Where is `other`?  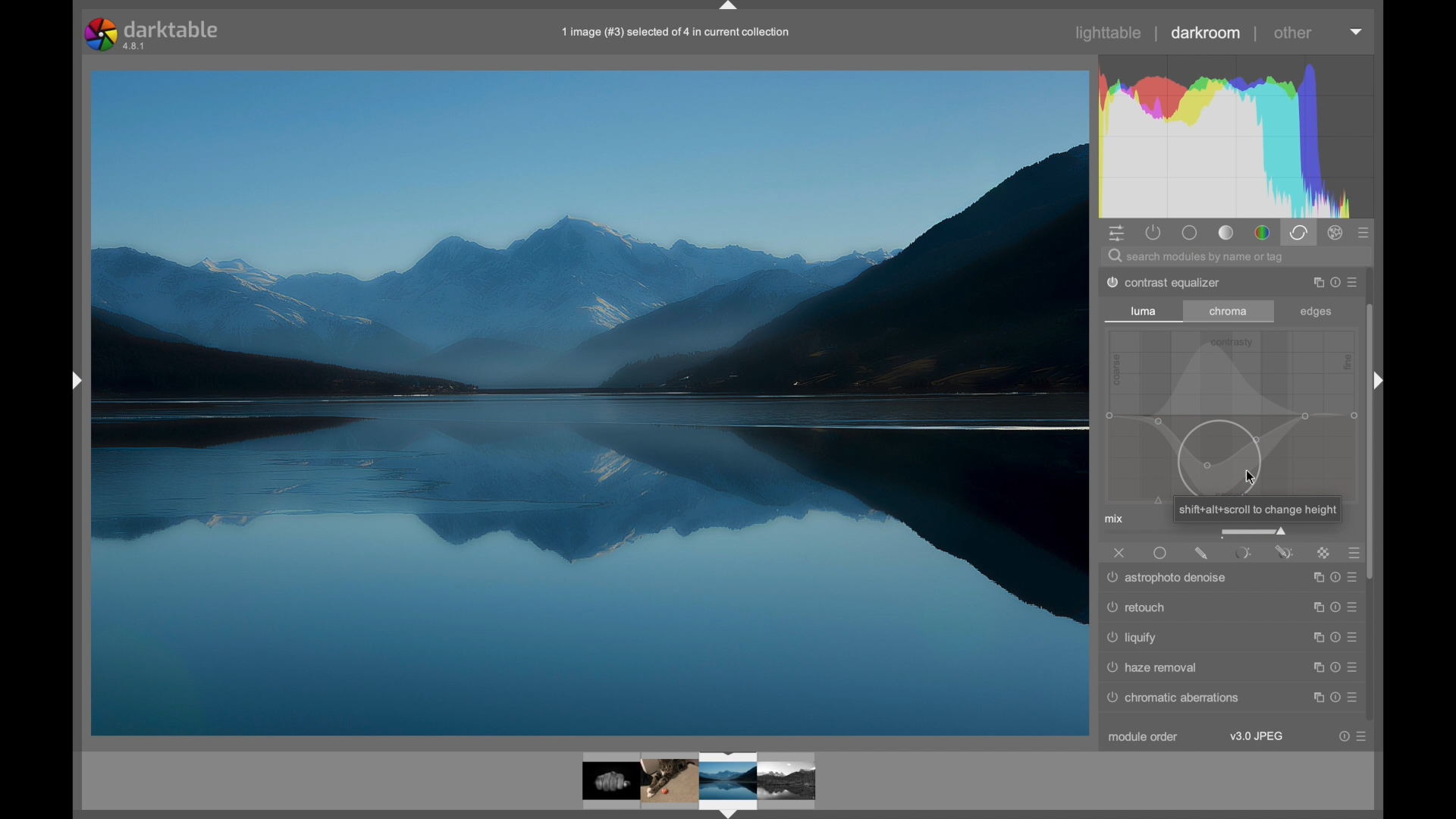 other is located at coordinates (1293, 33).